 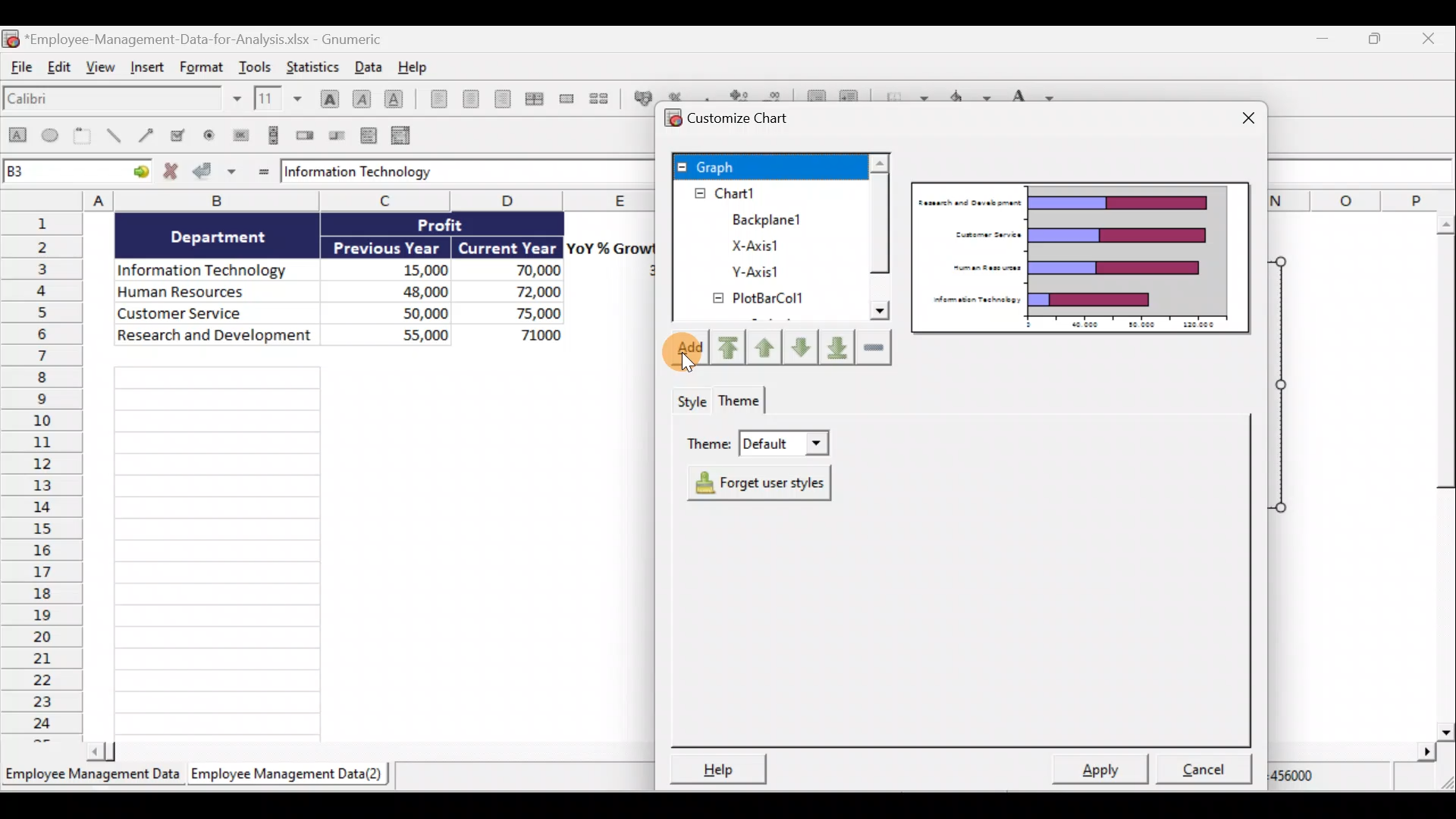 I want to click on Create a frame, so click(x=86, y=137).